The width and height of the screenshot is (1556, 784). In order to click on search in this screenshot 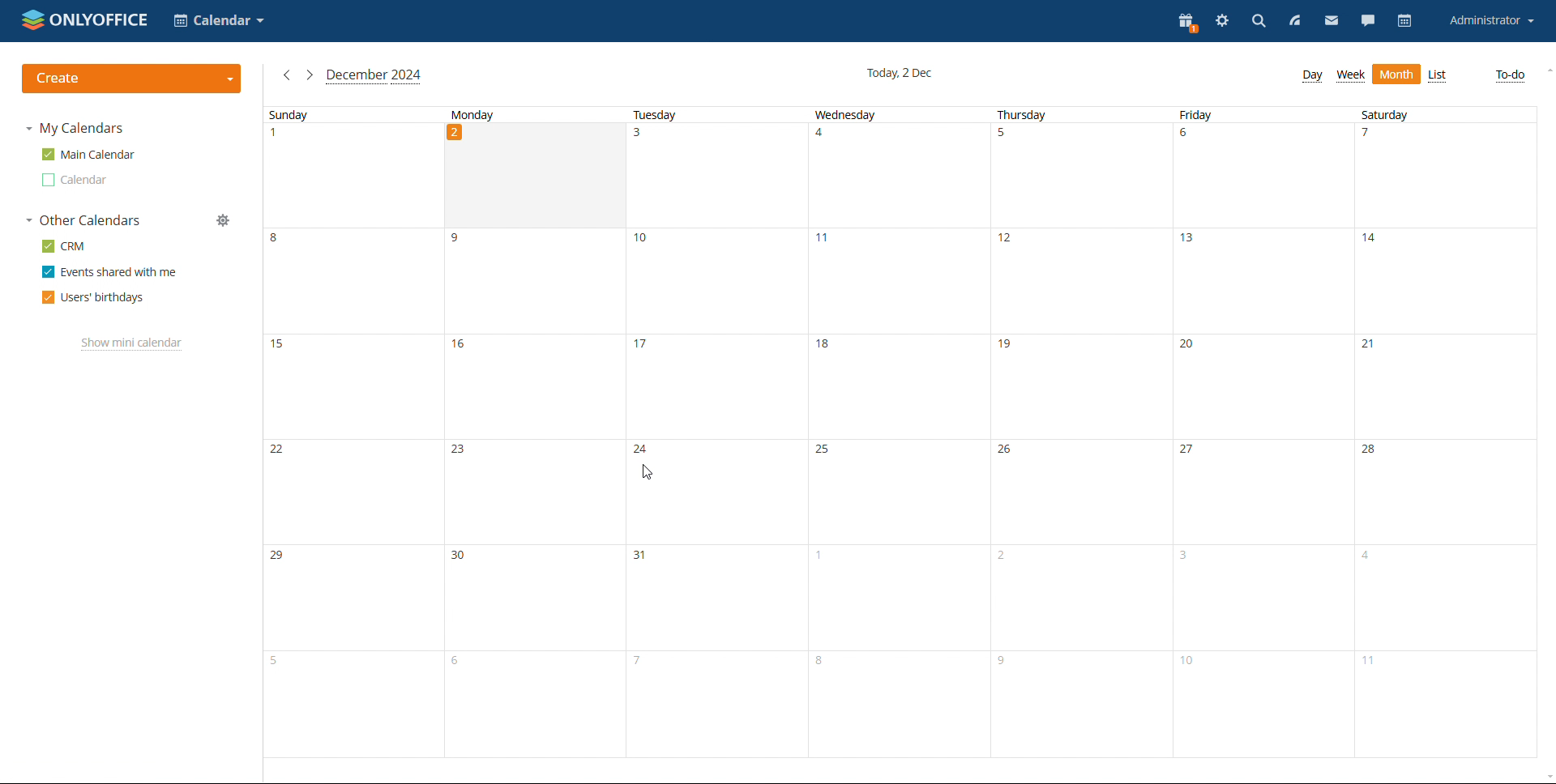, I will do `click(1257, 23)`.